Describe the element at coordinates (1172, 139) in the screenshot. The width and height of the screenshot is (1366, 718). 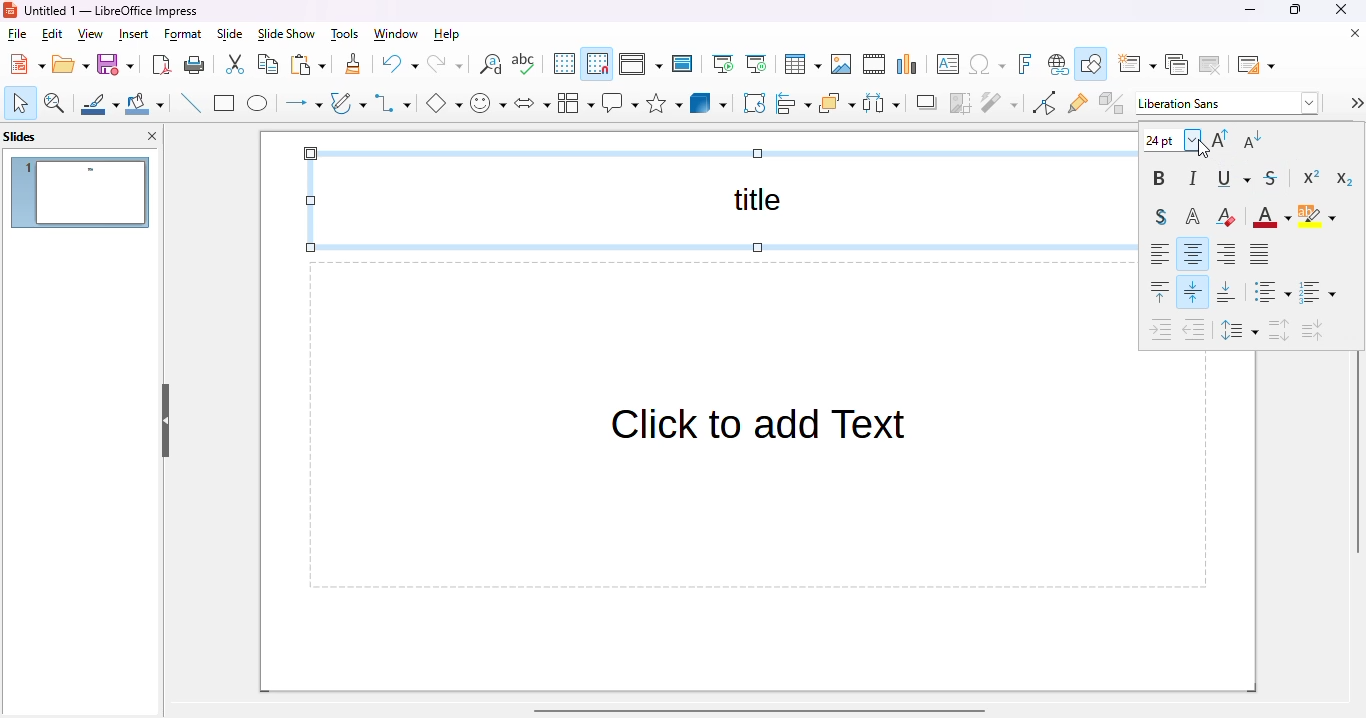
I see `font size` at that location.